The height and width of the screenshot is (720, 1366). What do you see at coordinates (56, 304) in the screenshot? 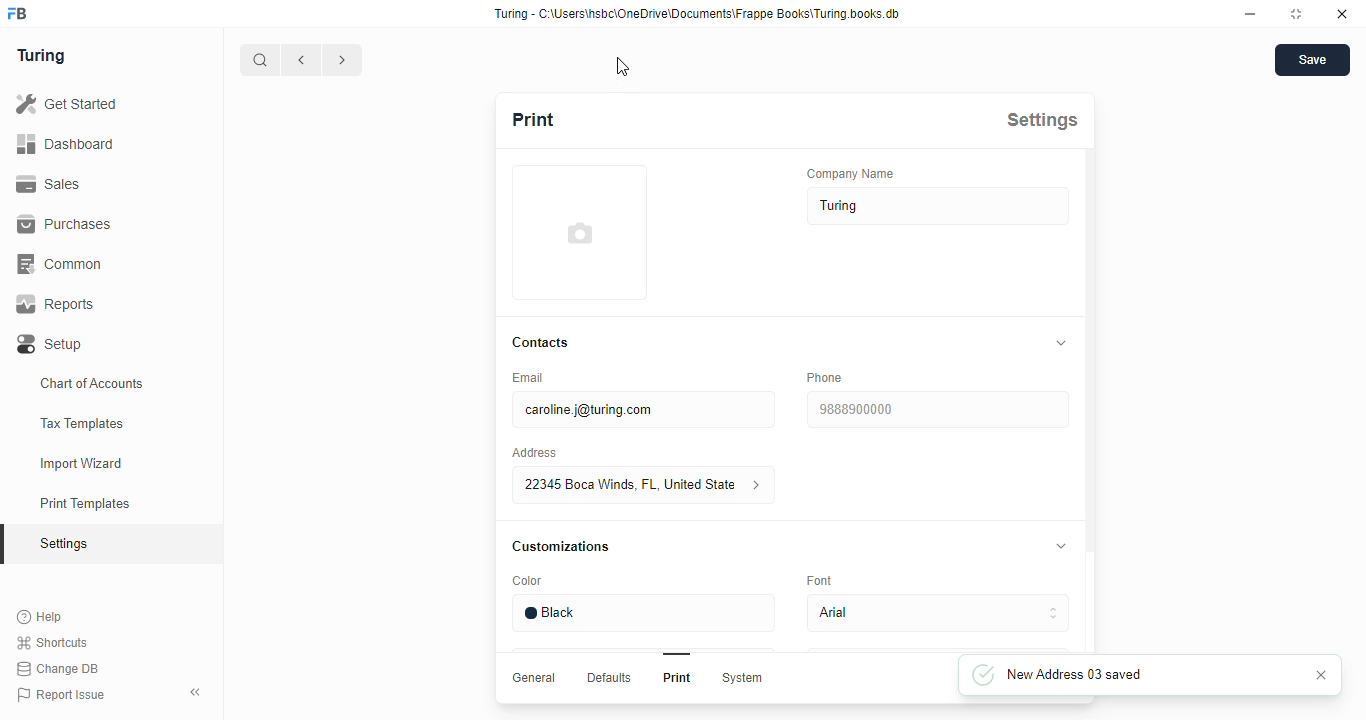
I see `reports` at bounding box center [56, 304].